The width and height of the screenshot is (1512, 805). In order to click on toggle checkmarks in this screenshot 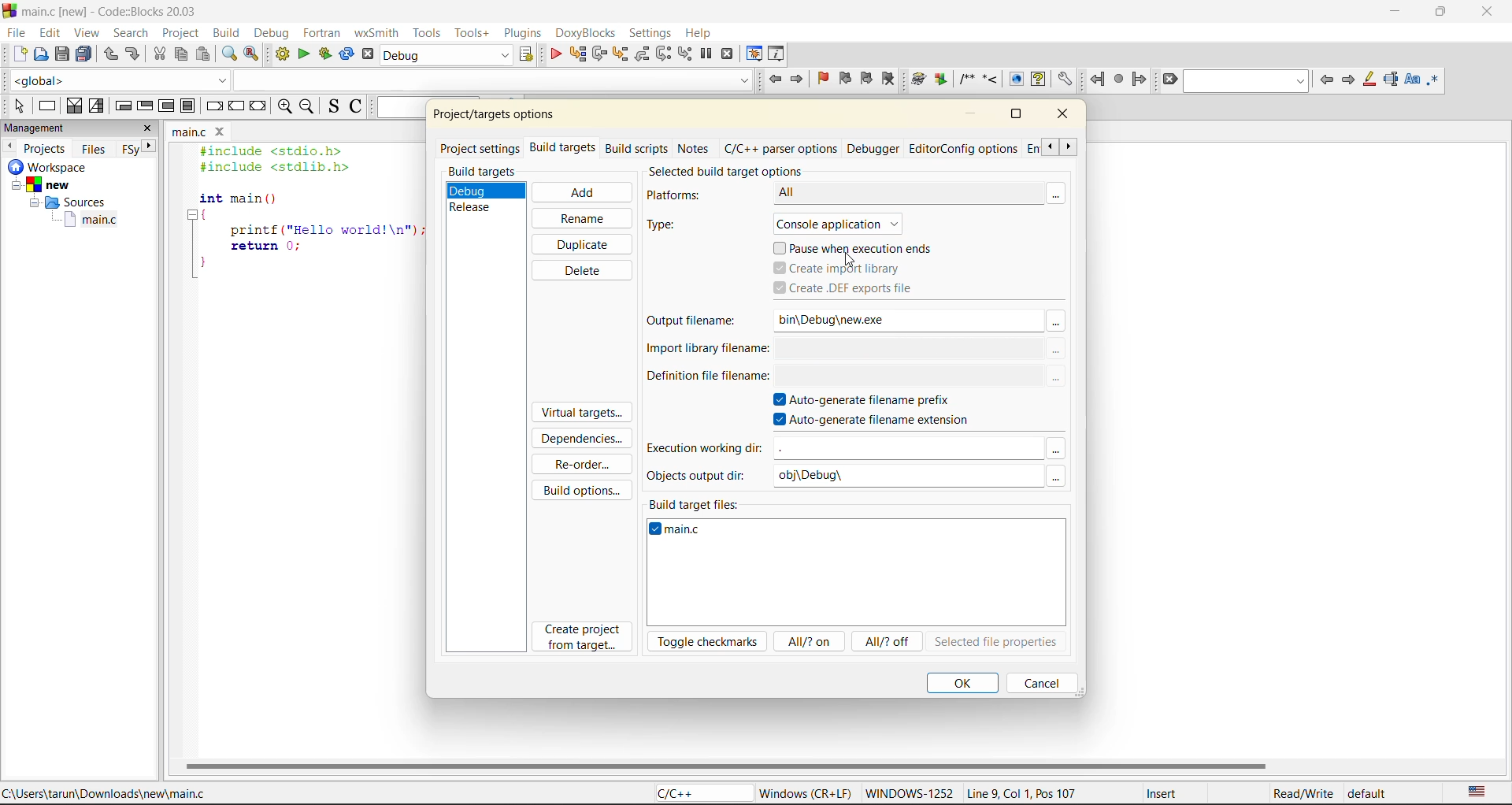, I will do `click(709, 642)`.